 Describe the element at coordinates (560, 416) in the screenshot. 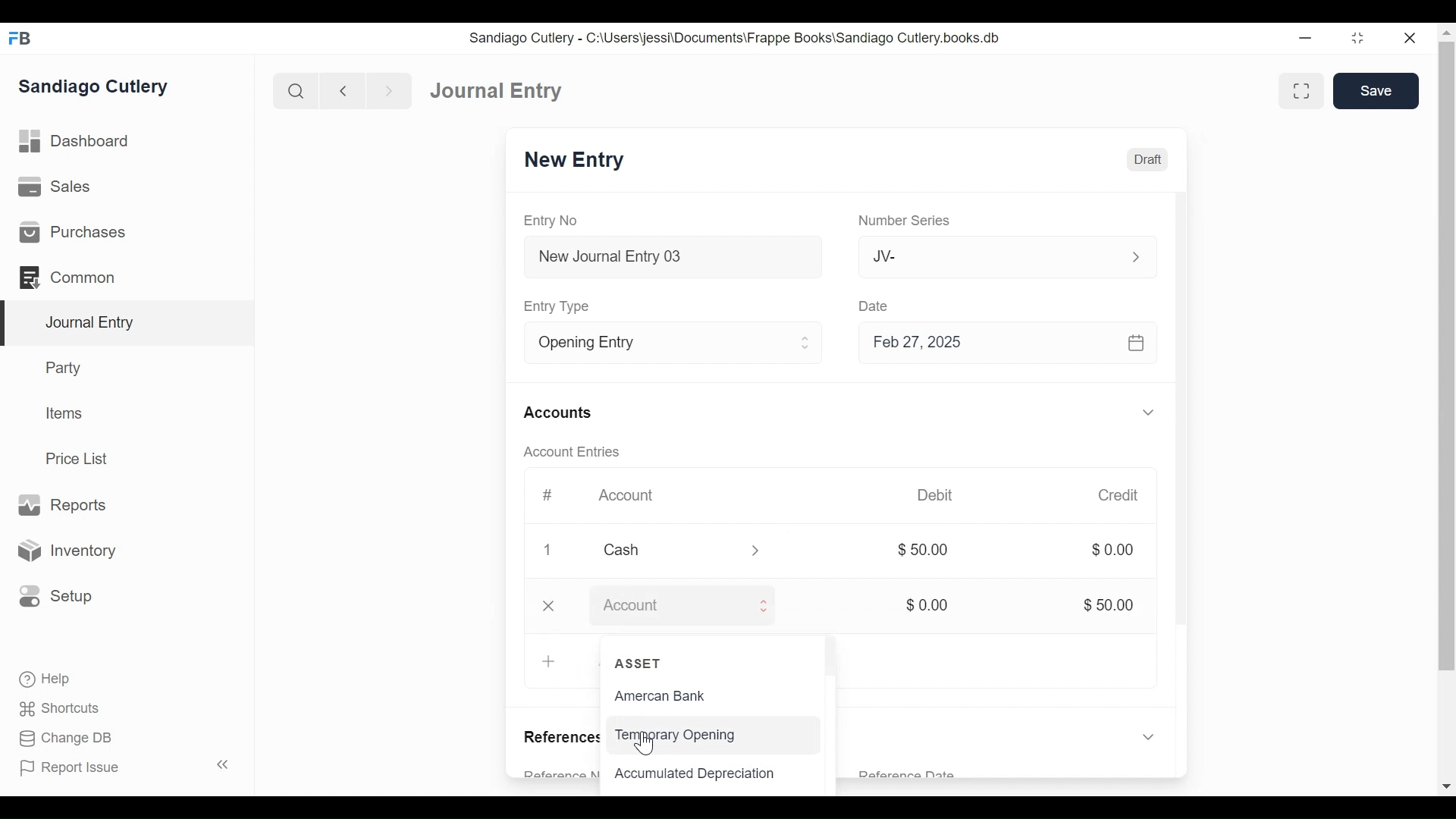

I see `Accounts` at that location.